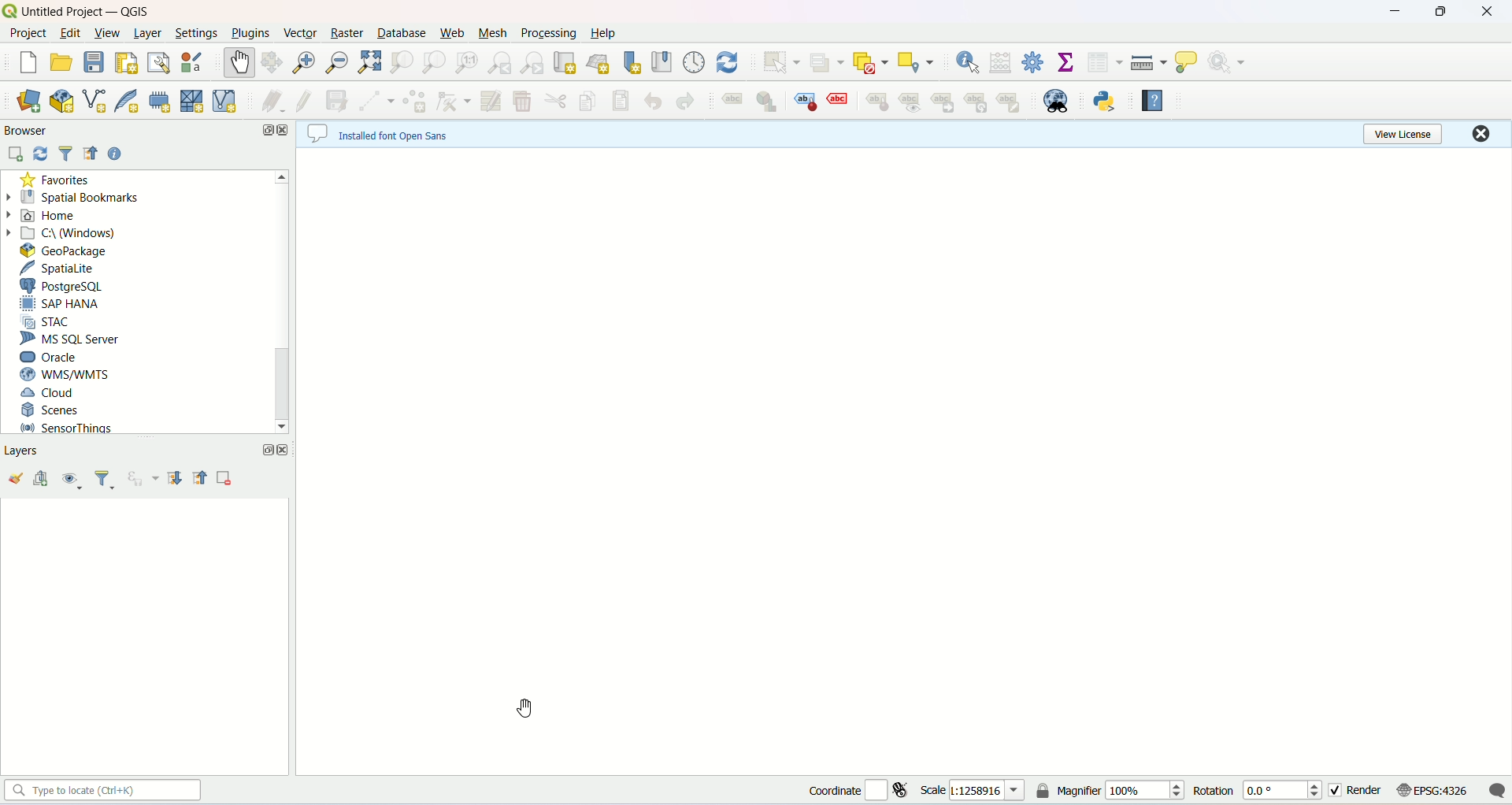 The width and height of the screenshot is (1512, 805). What do you see at coordinates (550, 33) in the screenshot?
I see `processing` at bounding box center [550, 33].